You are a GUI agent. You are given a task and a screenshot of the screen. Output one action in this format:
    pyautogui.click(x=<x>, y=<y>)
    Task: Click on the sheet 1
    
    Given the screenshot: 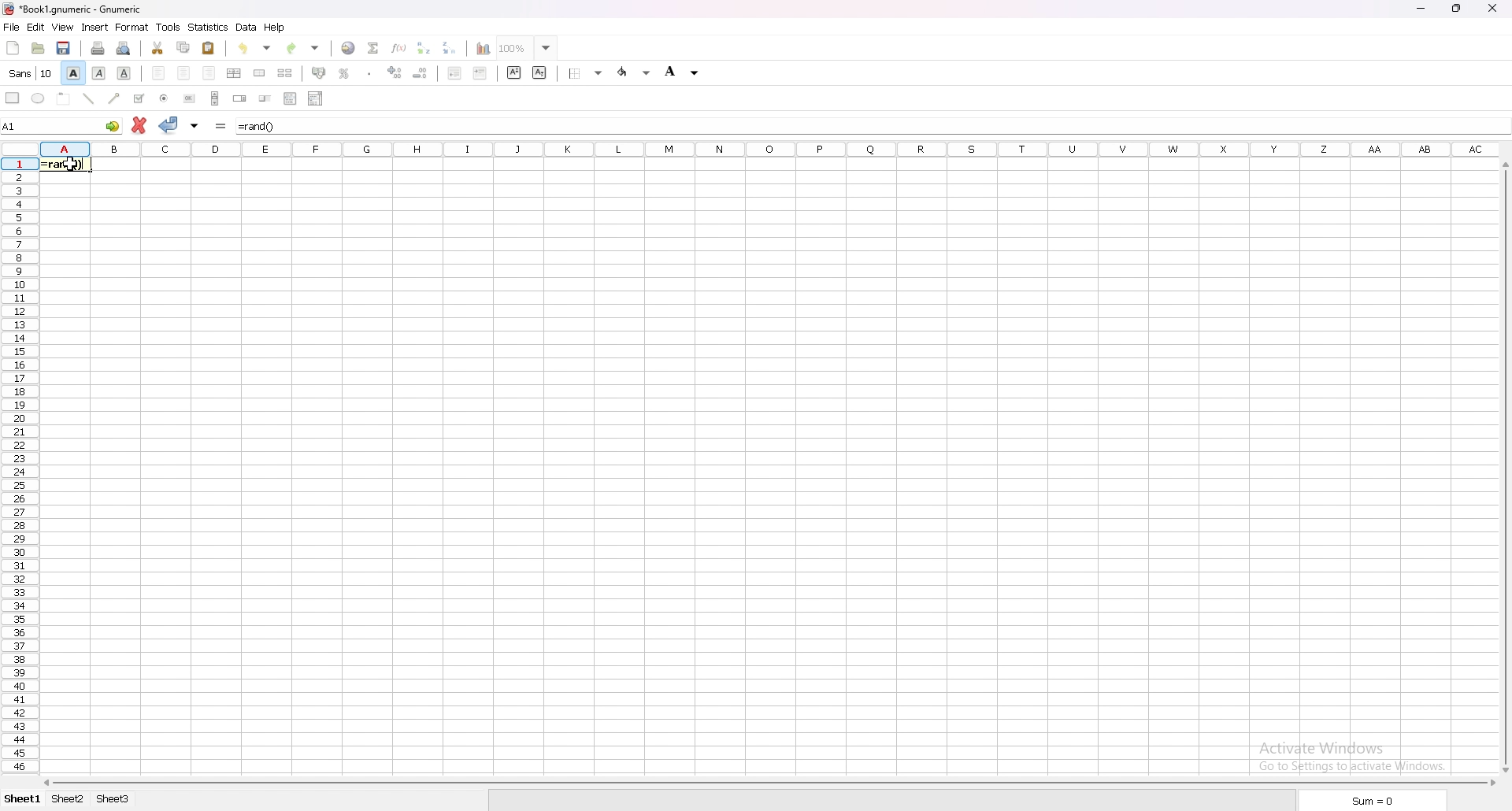 What is the action you would take?
    pyautogui.click(x=24, y=800)
    